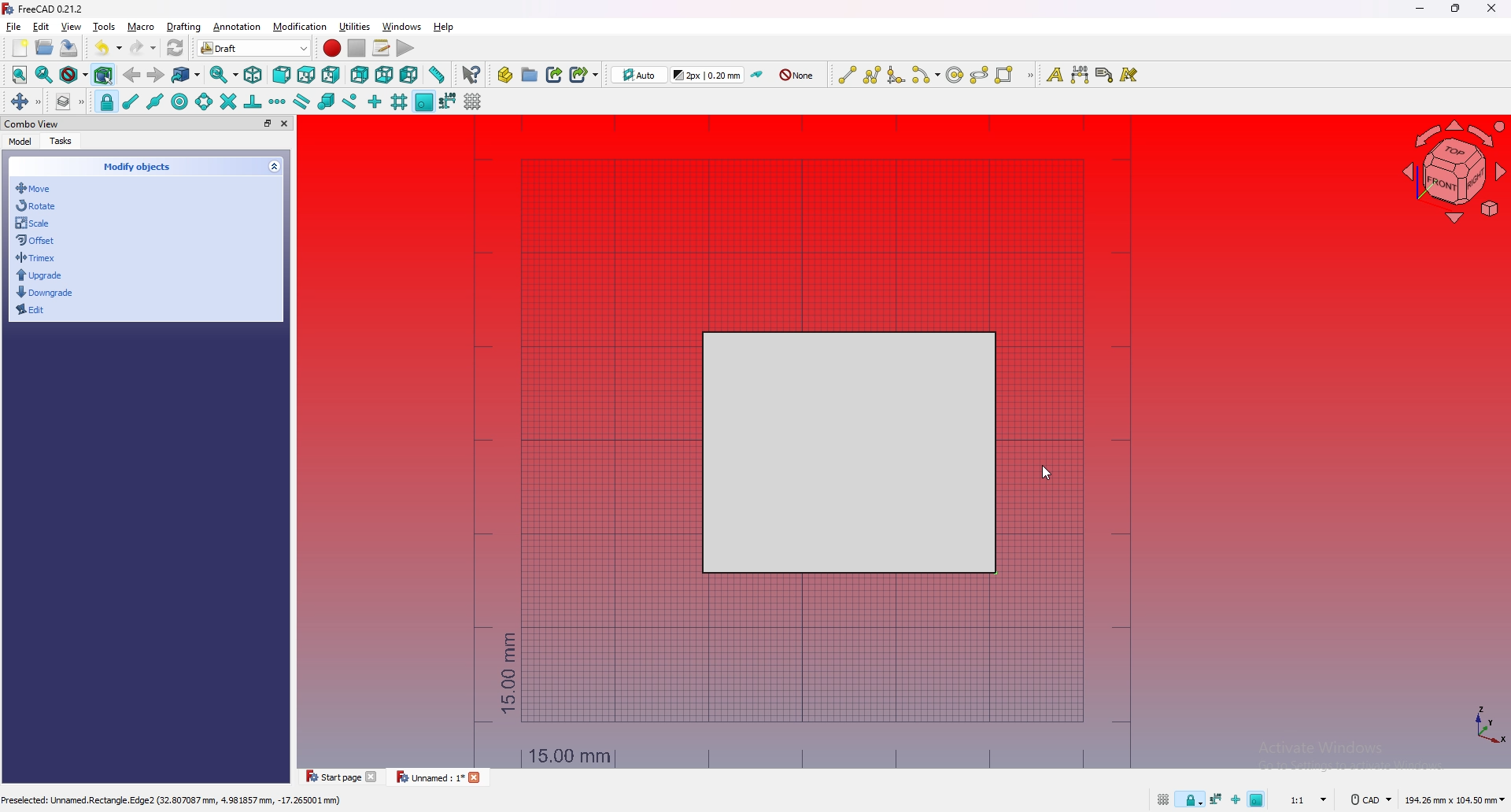 The height and width of the screenshot is (812, 1511). Describe the element at coordinates (331, 777) in the screenshot. I see `start page` at that location.